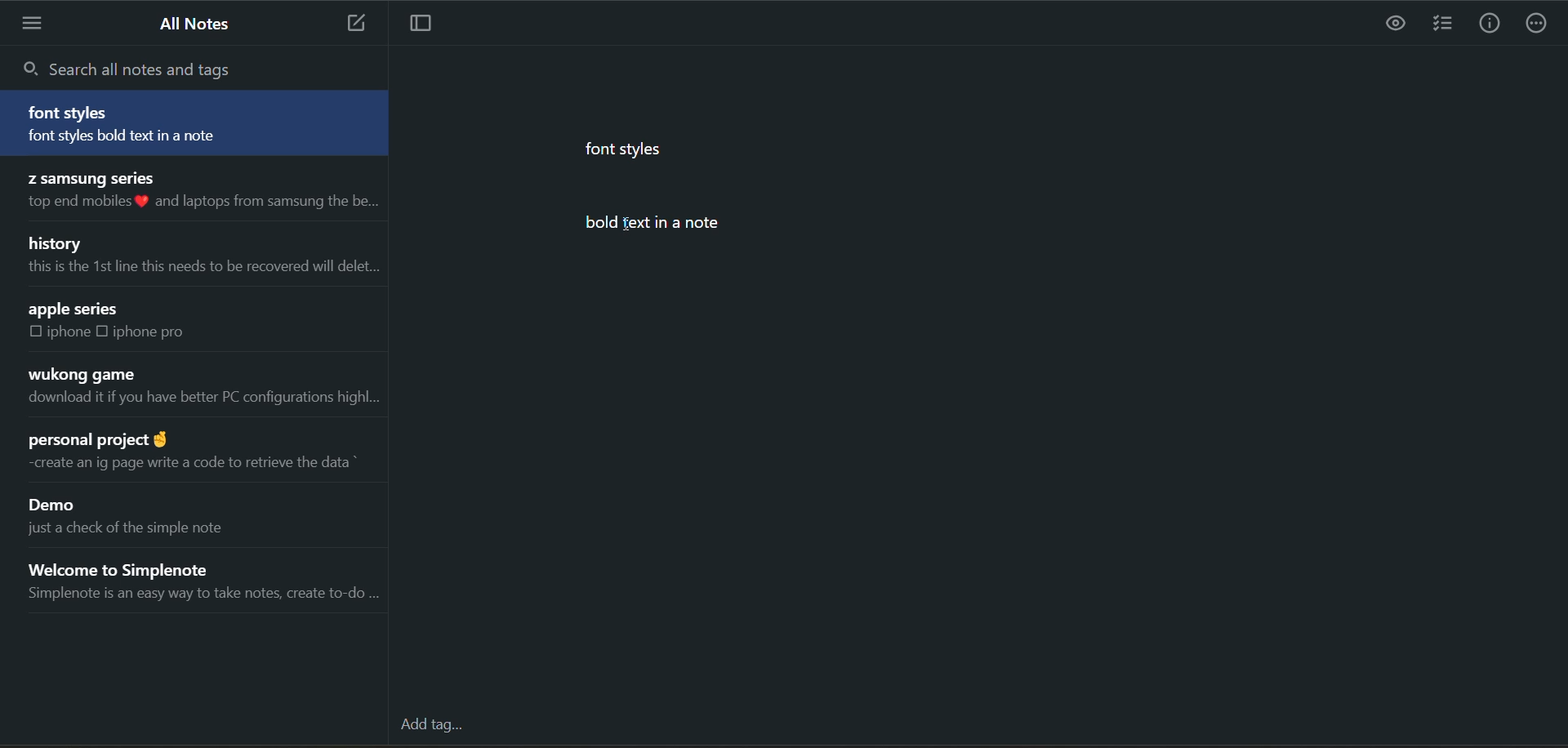 Image resolution: width=1568 pixels, height=748 pixels. Describe the element at coordinates (200, 267) in the screenshot. I see `this is the 1st line this needs to be recovered will delet...` at that location.